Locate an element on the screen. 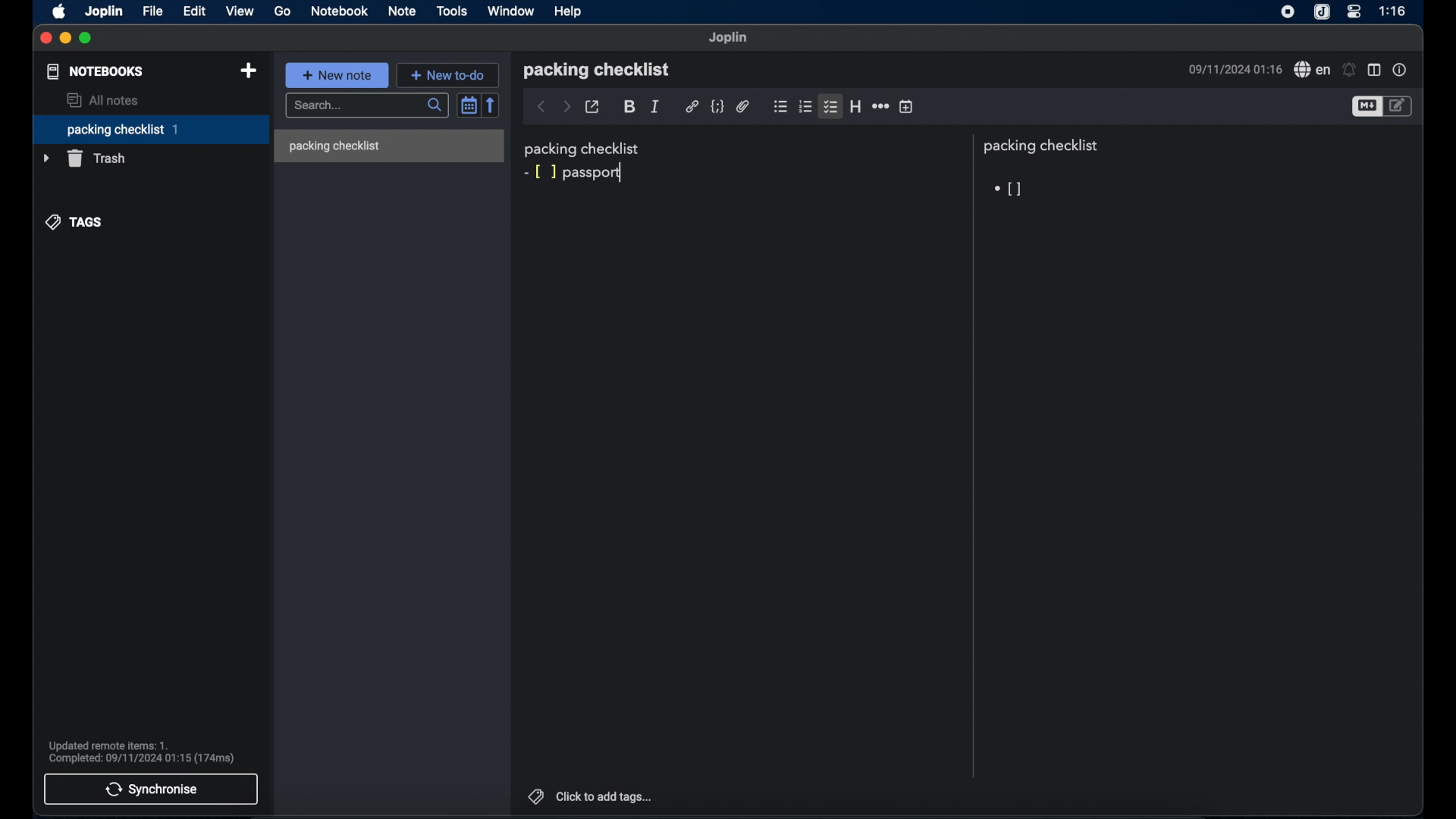  packing checklist is located at coordinates (1044, 146).